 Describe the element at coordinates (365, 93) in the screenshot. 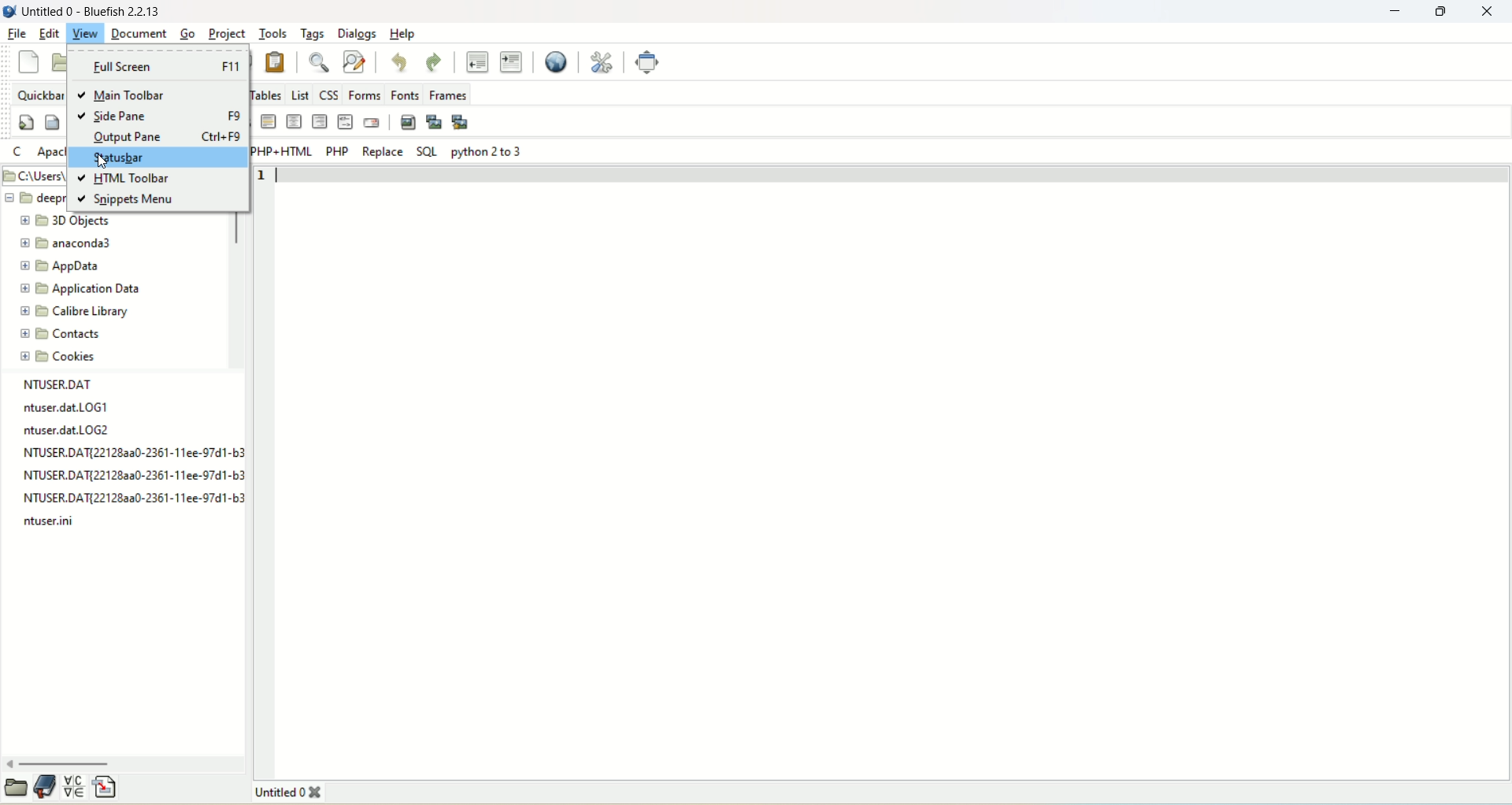

I see `forms` at that location.